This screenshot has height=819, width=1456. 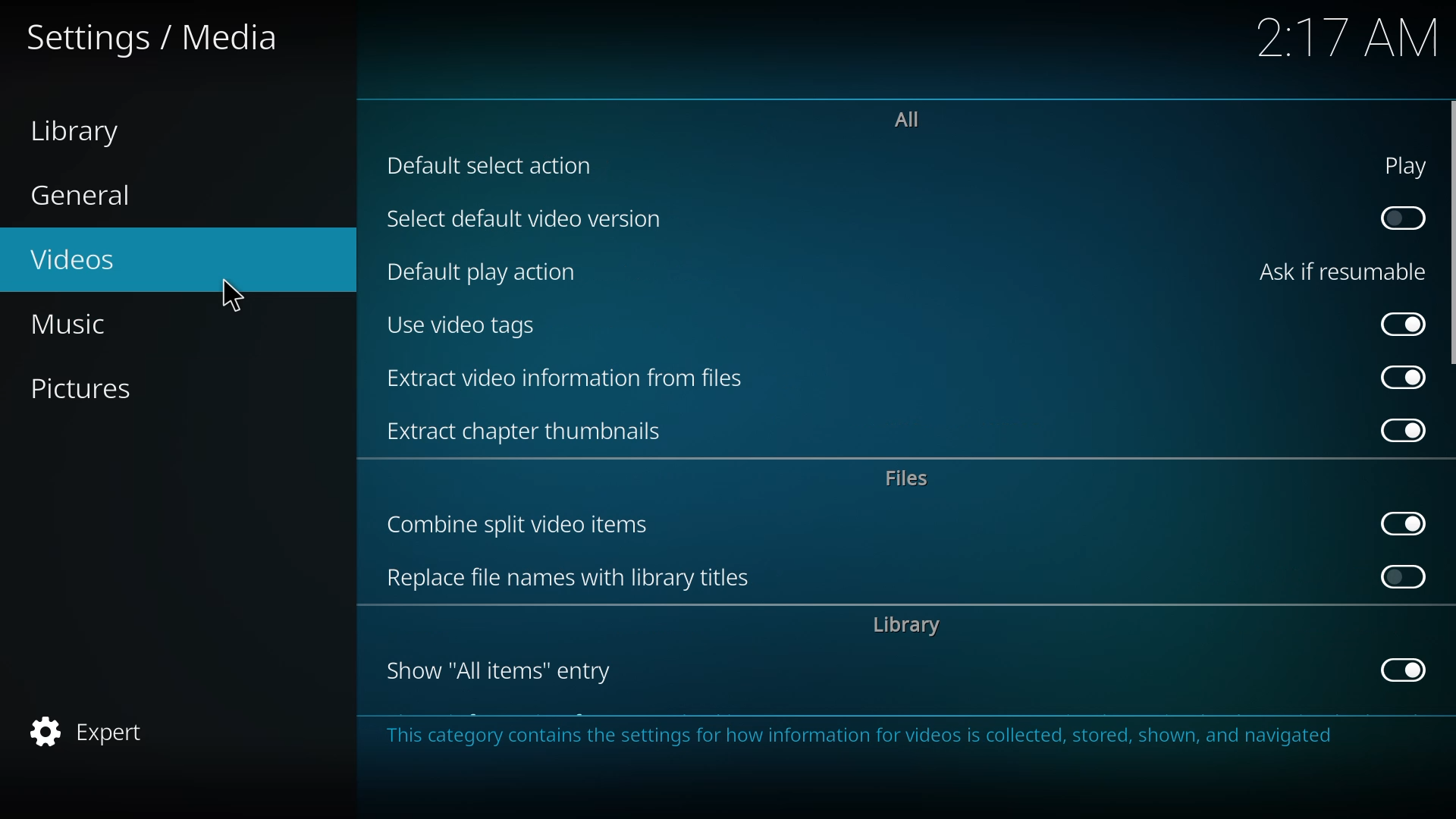 I want to click on info, so click(x=862, y=735).